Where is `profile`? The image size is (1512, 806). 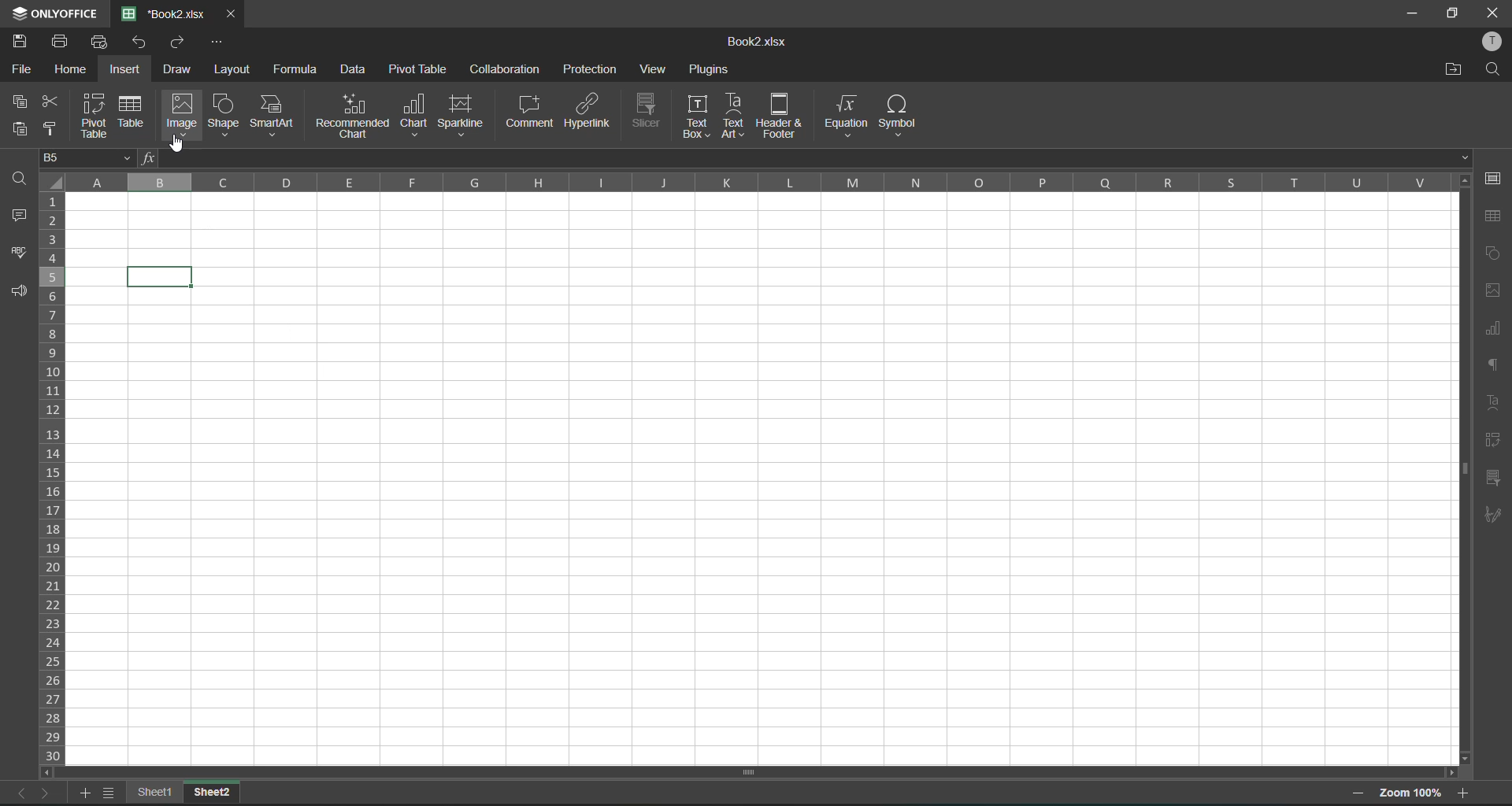 profile is located at coordinates (1493, 40).